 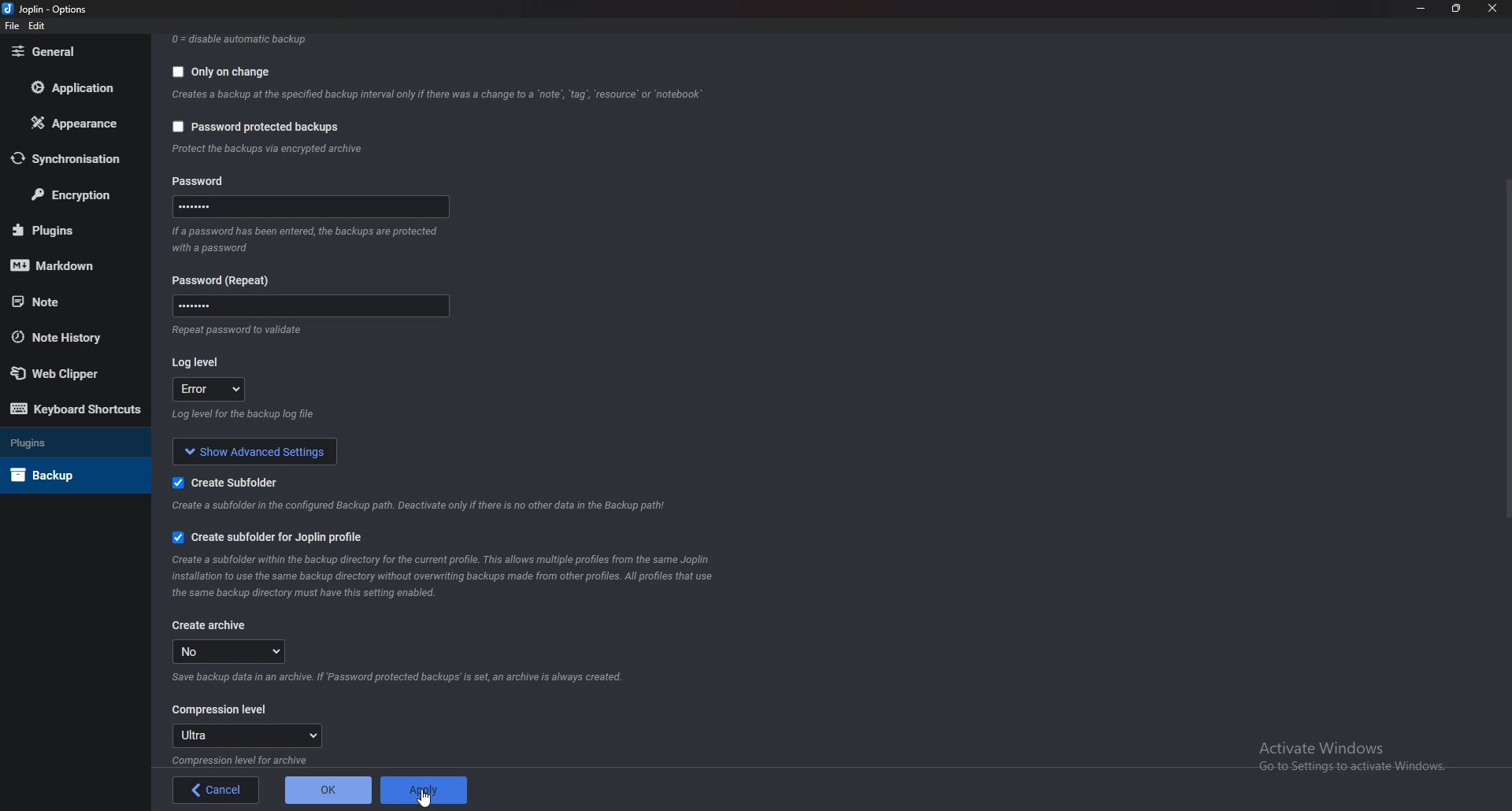 I want to click on Compression level, so click(x=221, y=709).